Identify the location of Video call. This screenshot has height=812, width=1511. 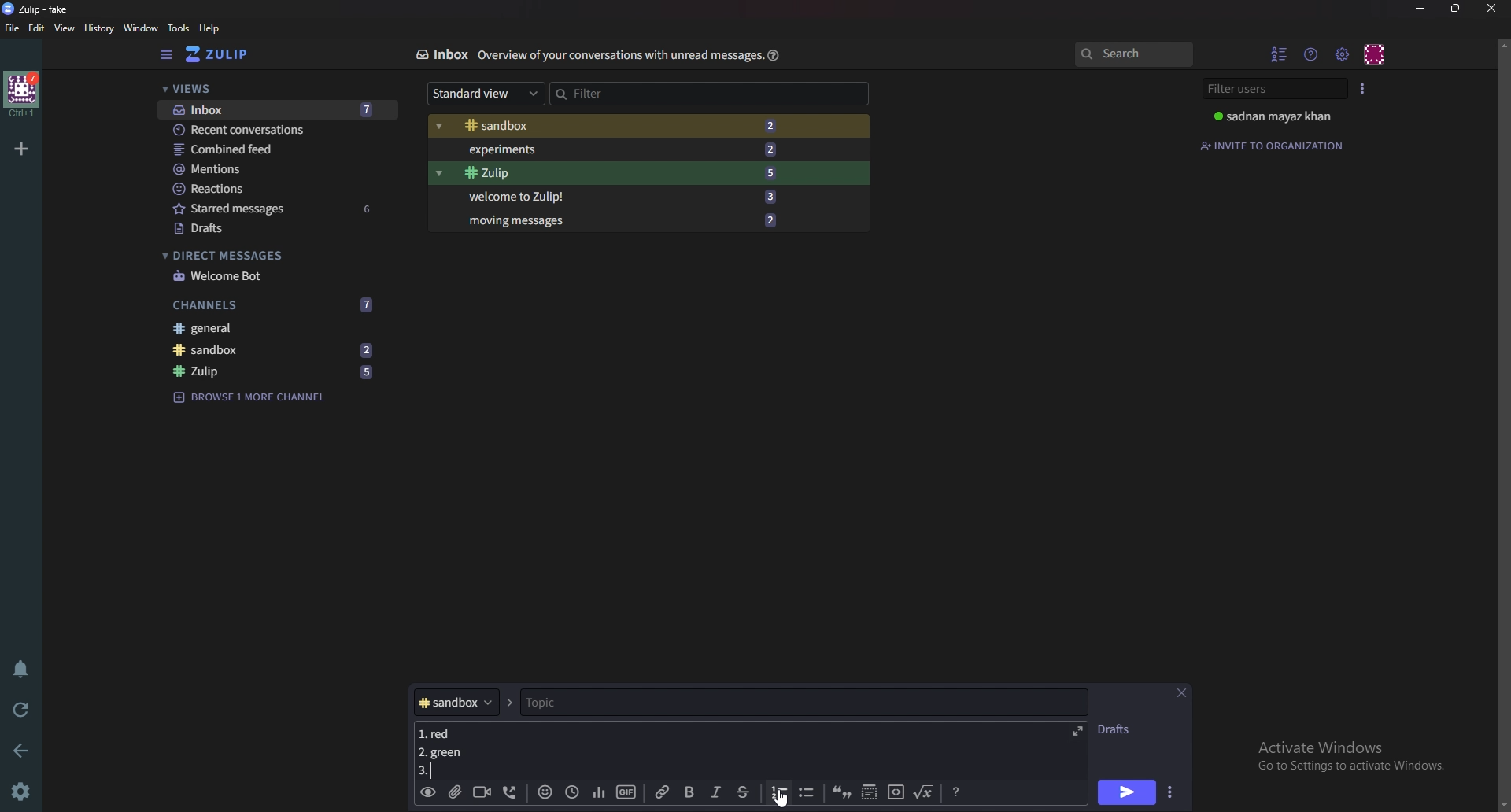
(480, 792).